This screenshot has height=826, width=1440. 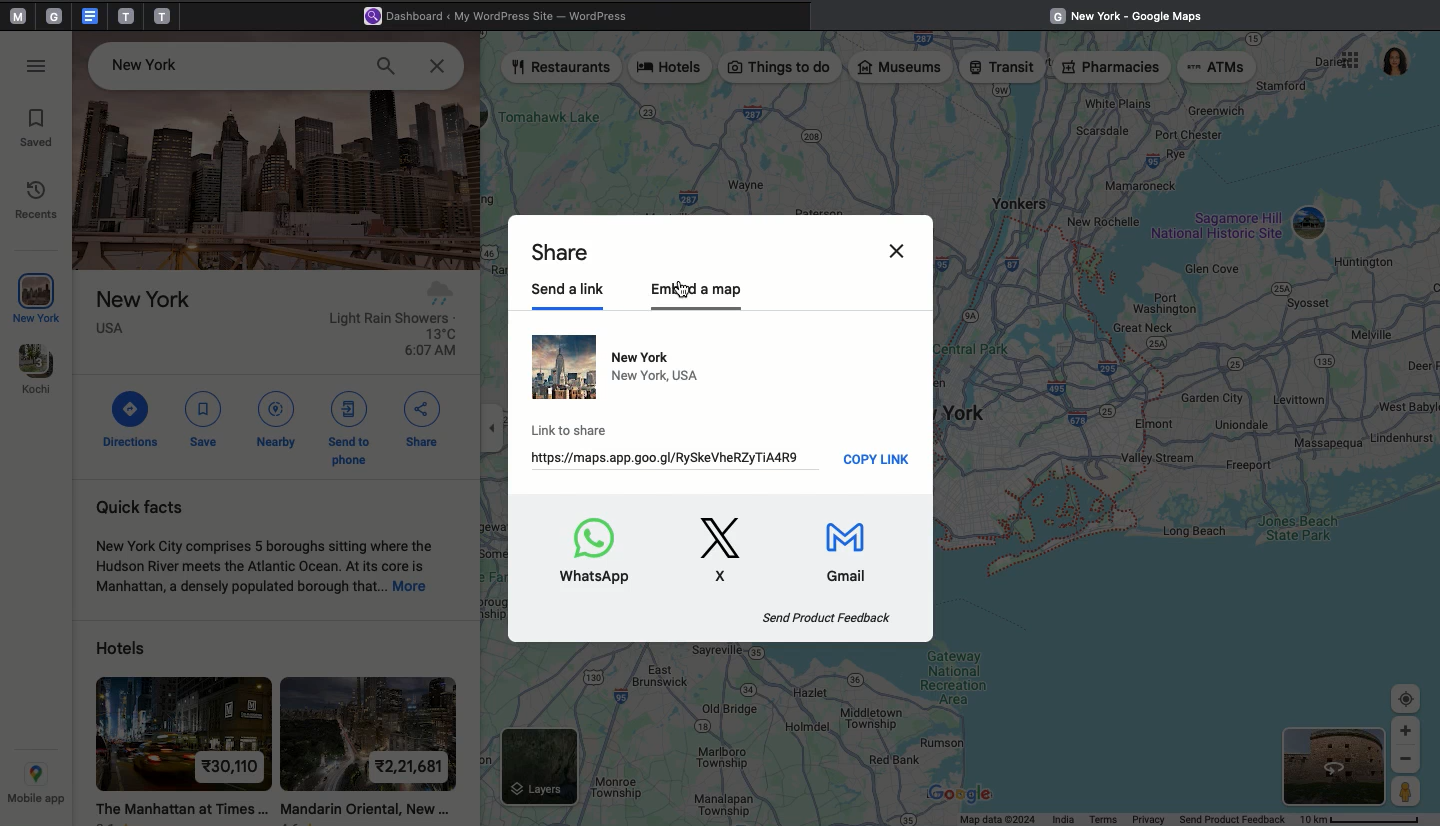 I want to click on Things to do, so click(x=780, y=68).